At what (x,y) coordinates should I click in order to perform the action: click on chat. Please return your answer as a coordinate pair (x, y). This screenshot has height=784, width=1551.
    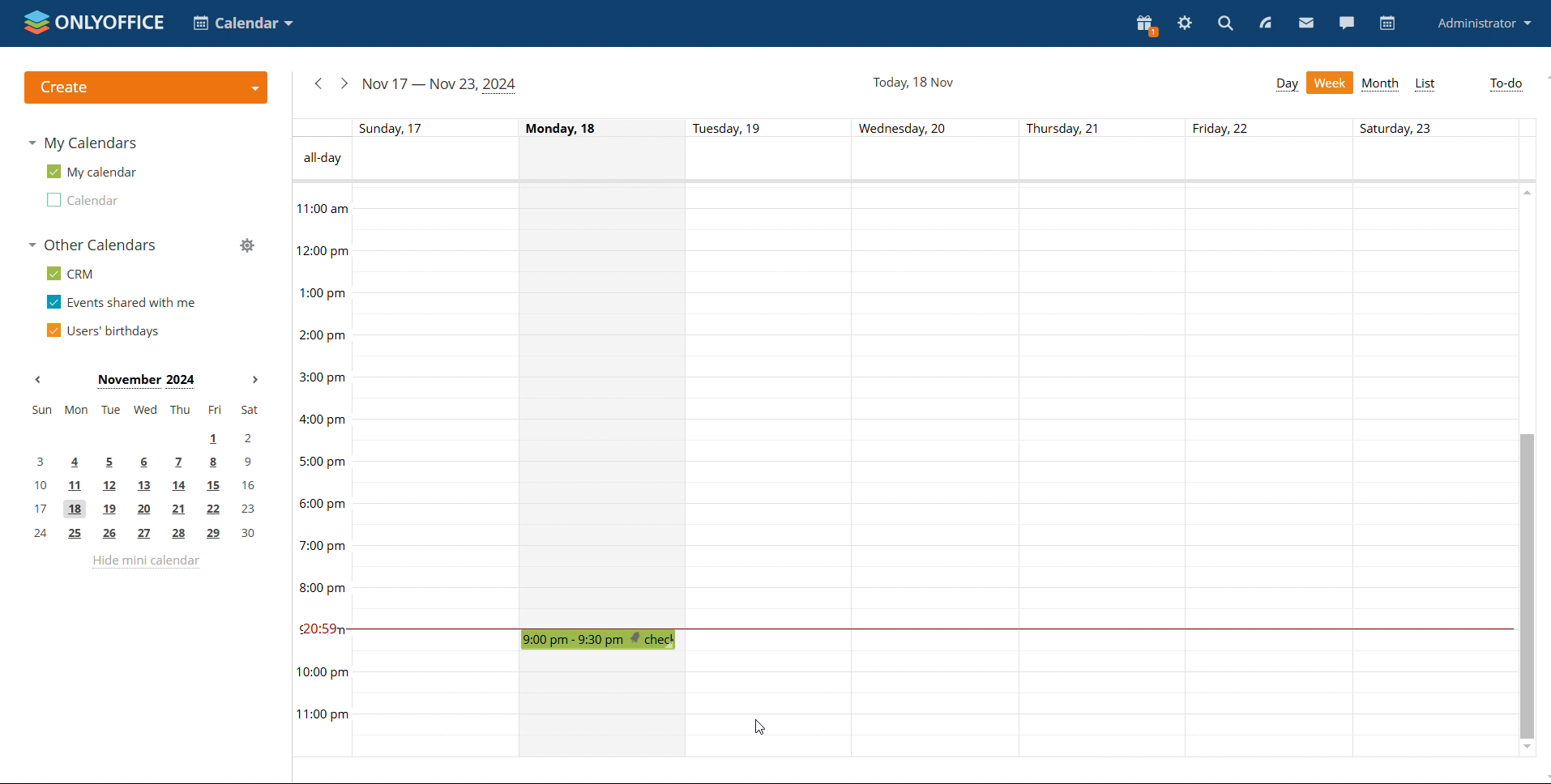
    Looking at the image, I should click on (1347, 23).